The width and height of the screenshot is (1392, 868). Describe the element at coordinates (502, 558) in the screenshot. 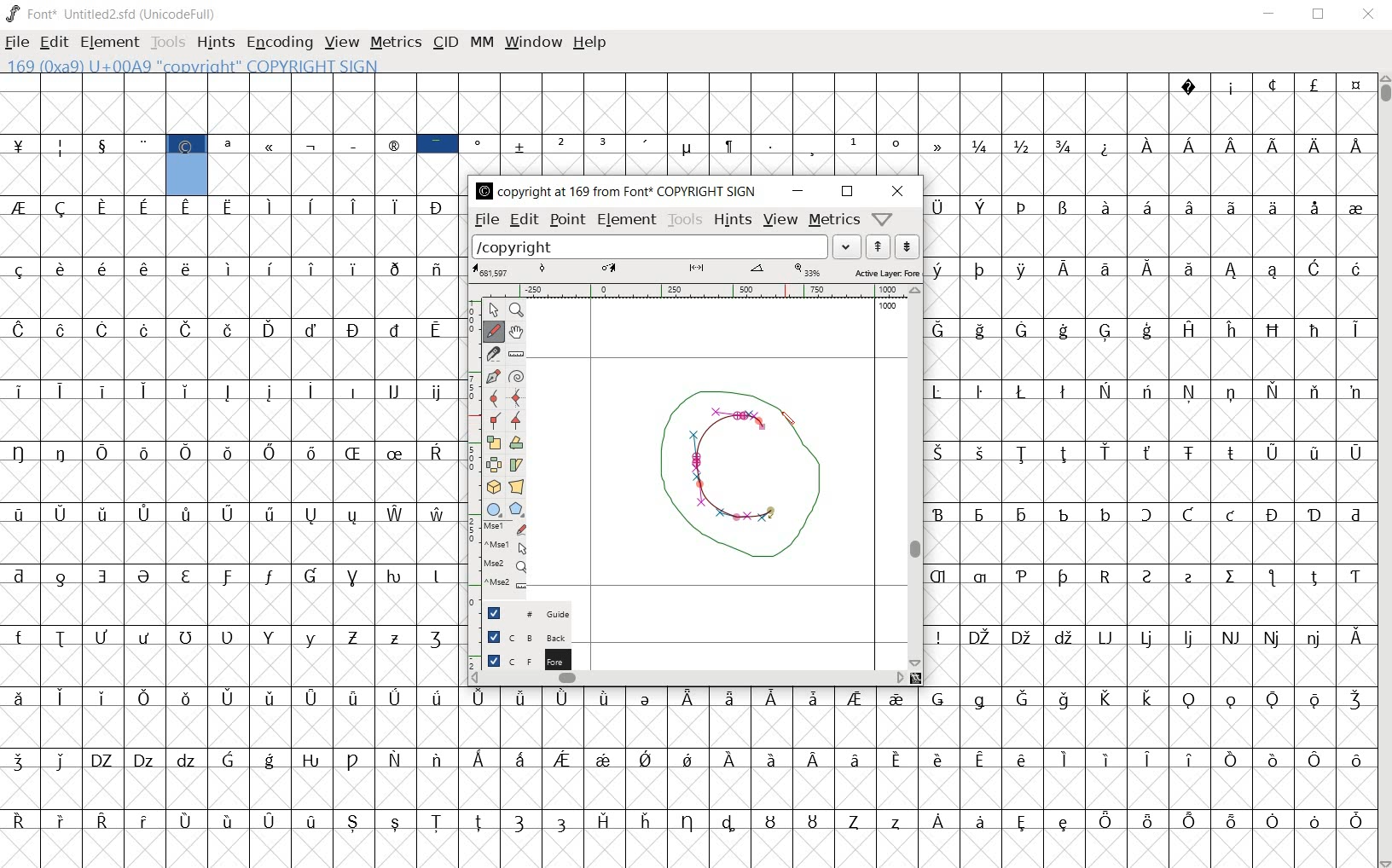

I see `mse1 mse1 mse2 mse2` at that location.